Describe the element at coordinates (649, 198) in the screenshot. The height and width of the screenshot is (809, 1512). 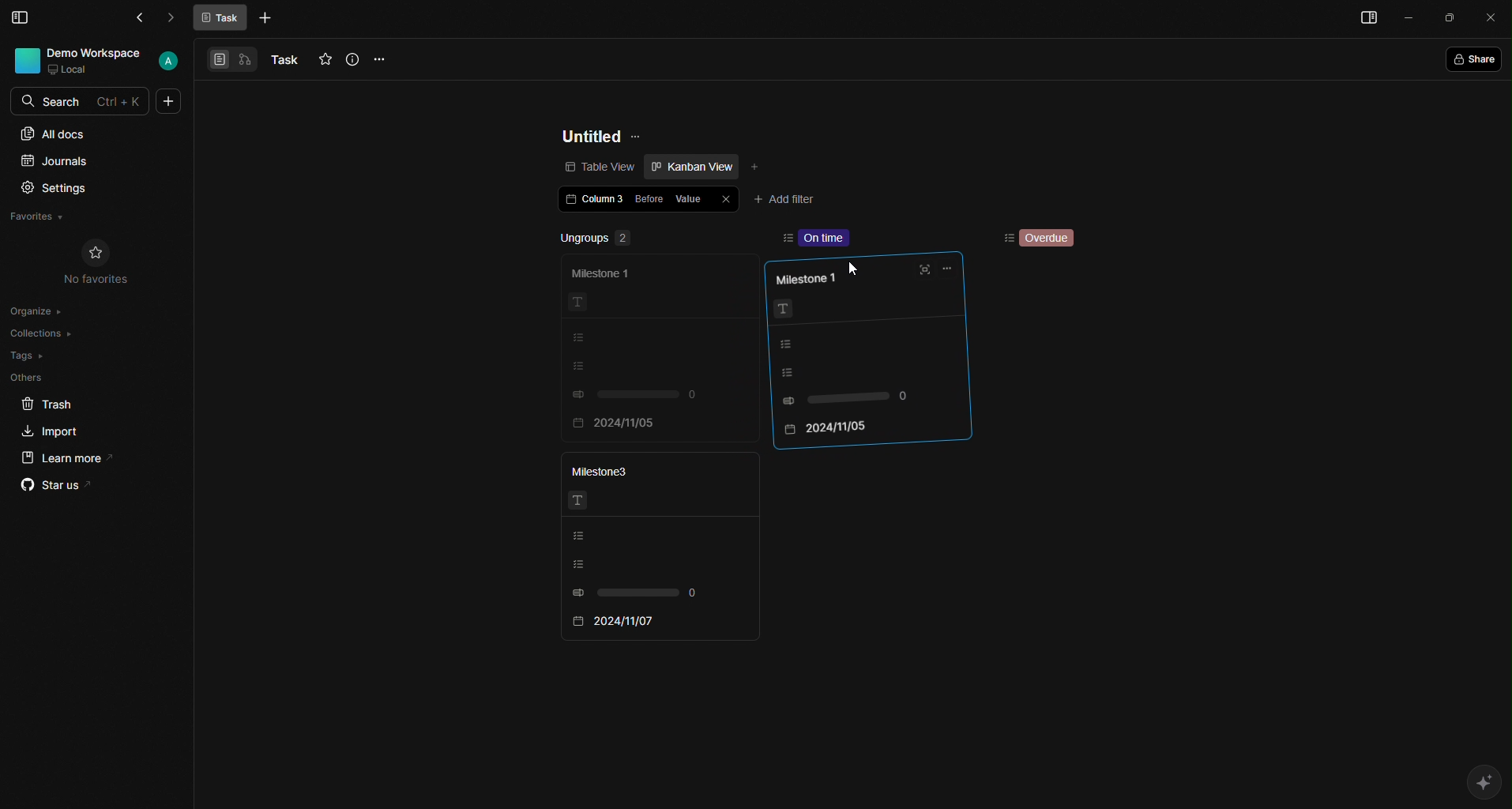
I see `Before` at that location.